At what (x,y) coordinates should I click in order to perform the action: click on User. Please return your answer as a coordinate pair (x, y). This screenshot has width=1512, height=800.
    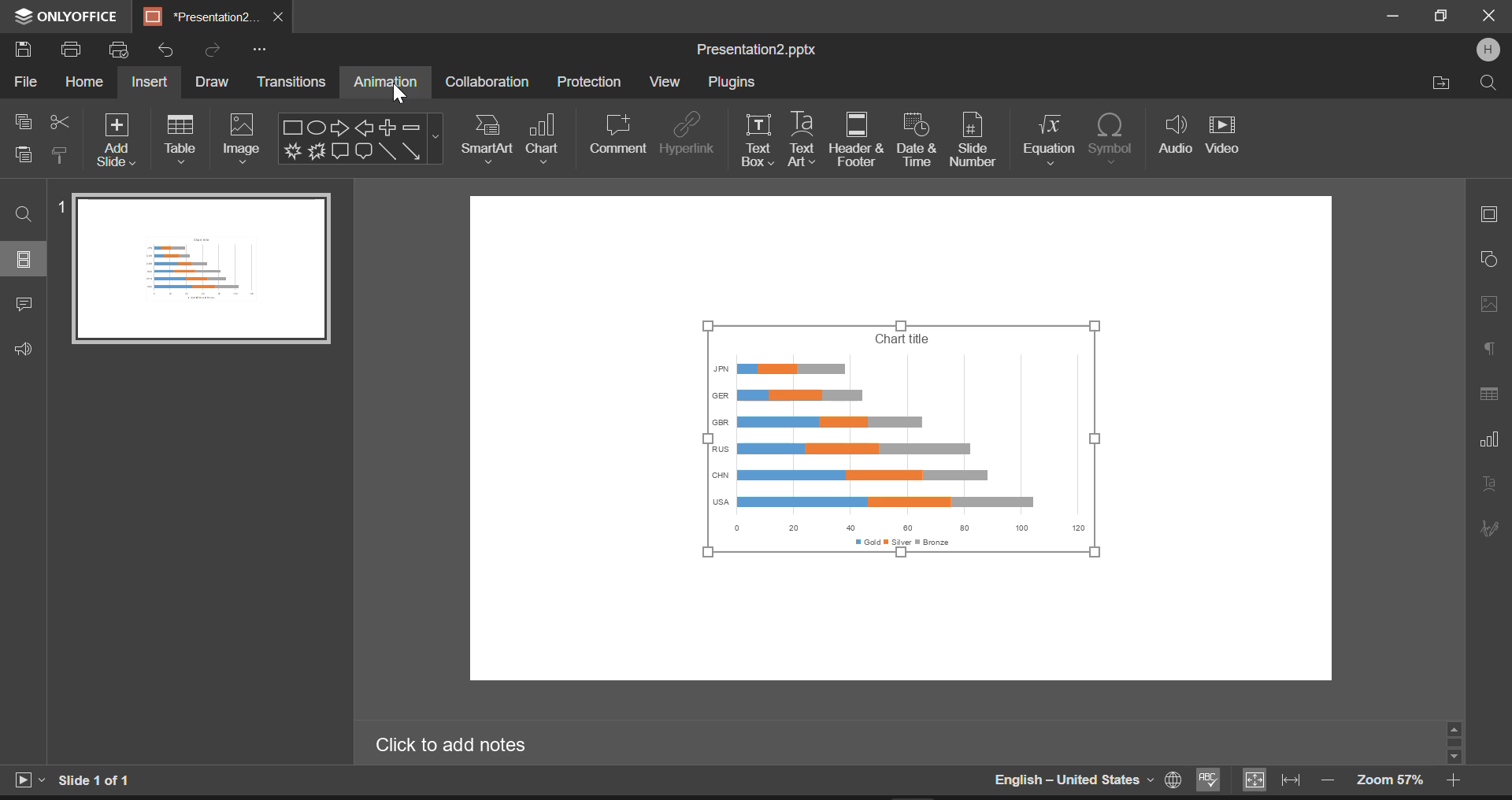
    Looking at the image, I should click on (1488, 50).